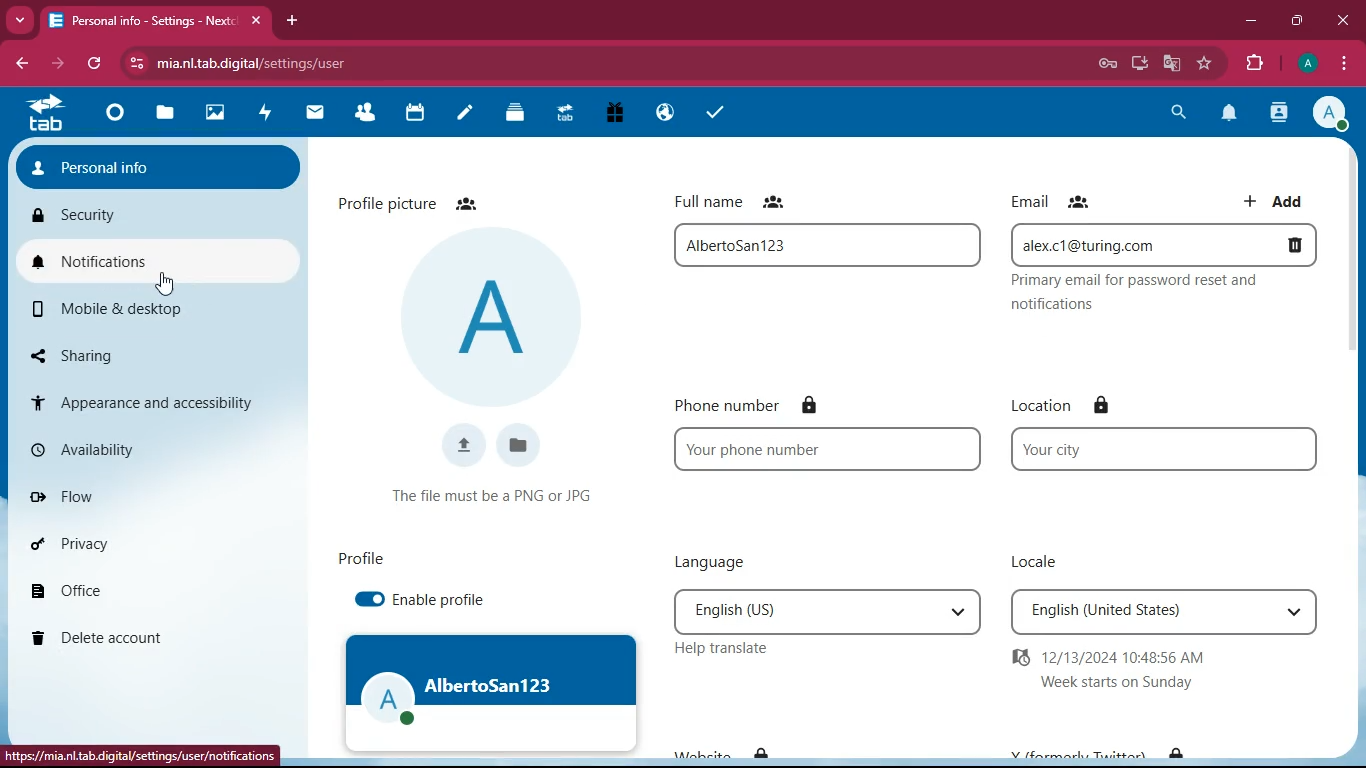  Describe the element at coordinates (157, 588) in the screenshot. I see `office` at that location.